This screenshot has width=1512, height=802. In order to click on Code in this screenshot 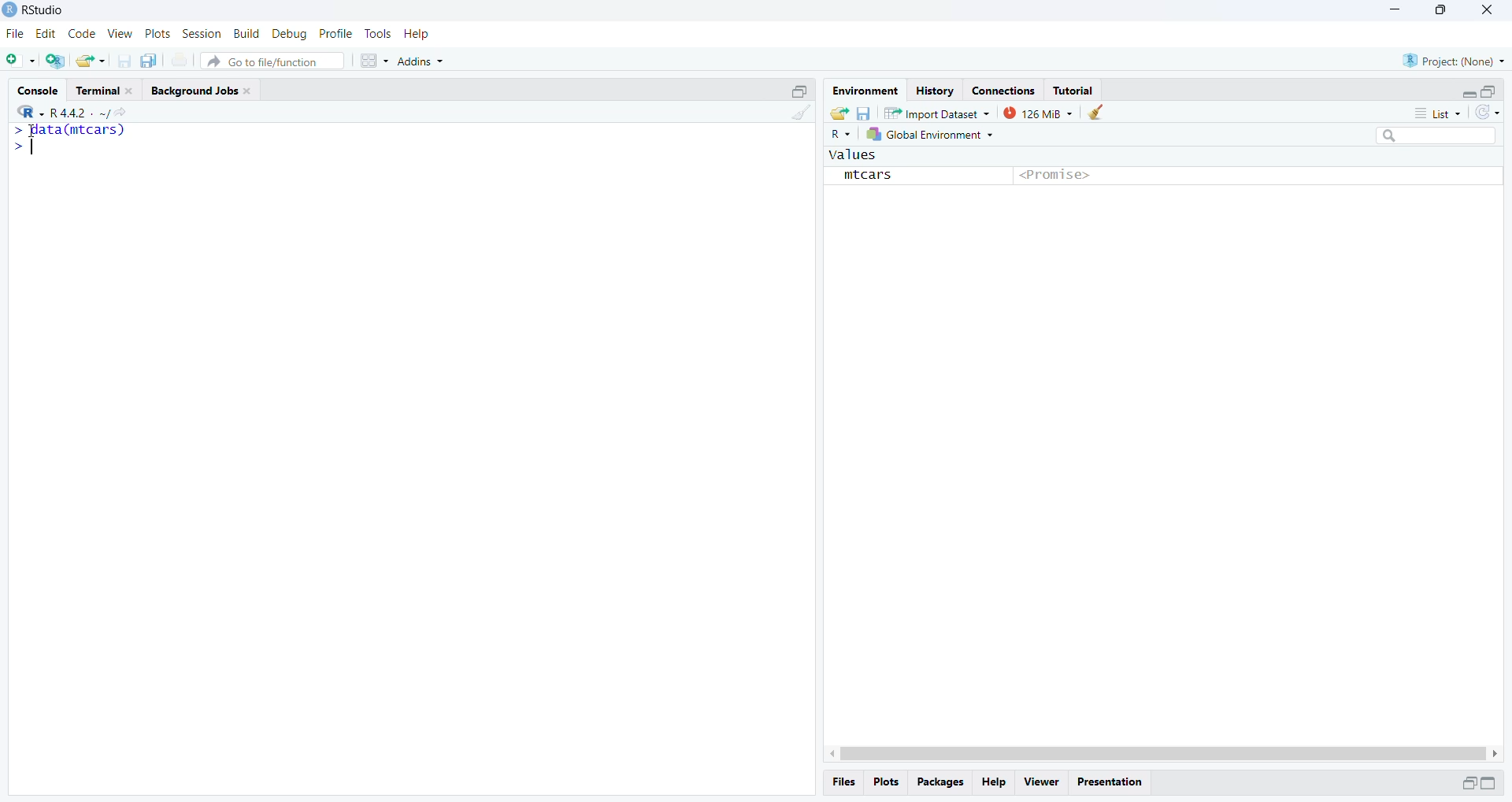, I will do `click(81, 34)`.